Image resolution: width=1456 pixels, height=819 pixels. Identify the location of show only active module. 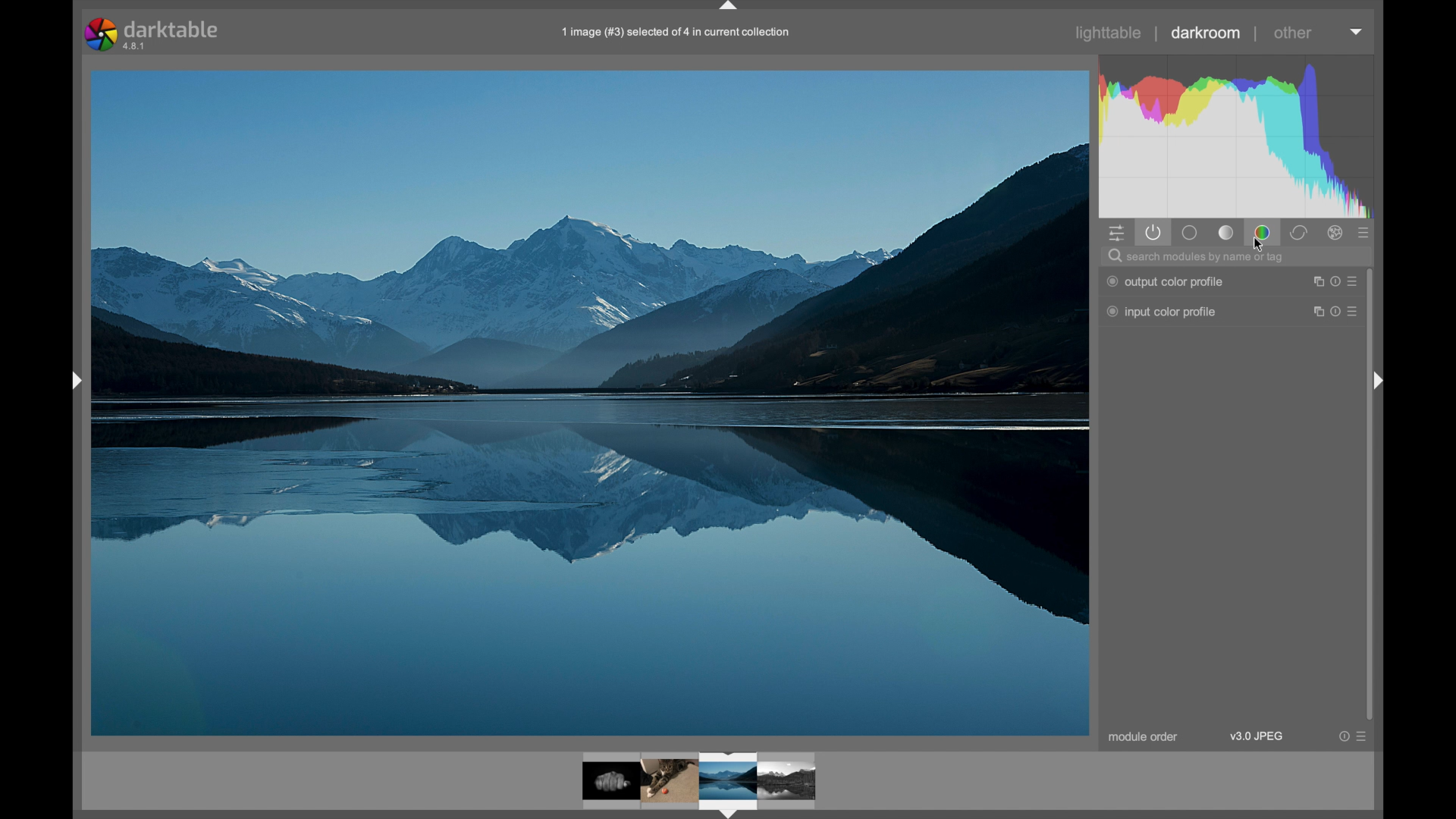
(1155, 233).